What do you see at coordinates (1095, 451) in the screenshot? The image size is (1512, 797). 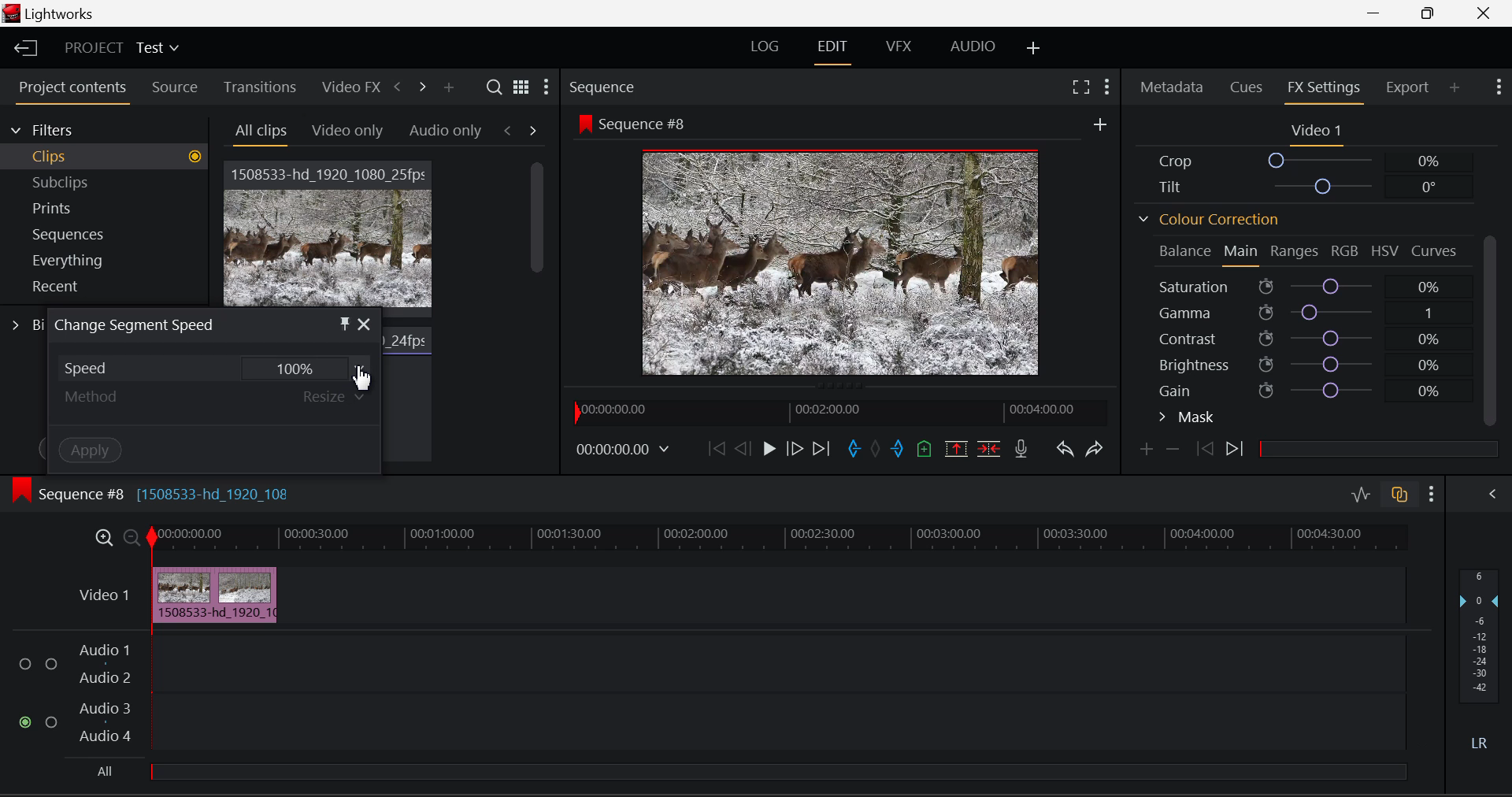 I see `Redo` at bounding box center [1095, 451].